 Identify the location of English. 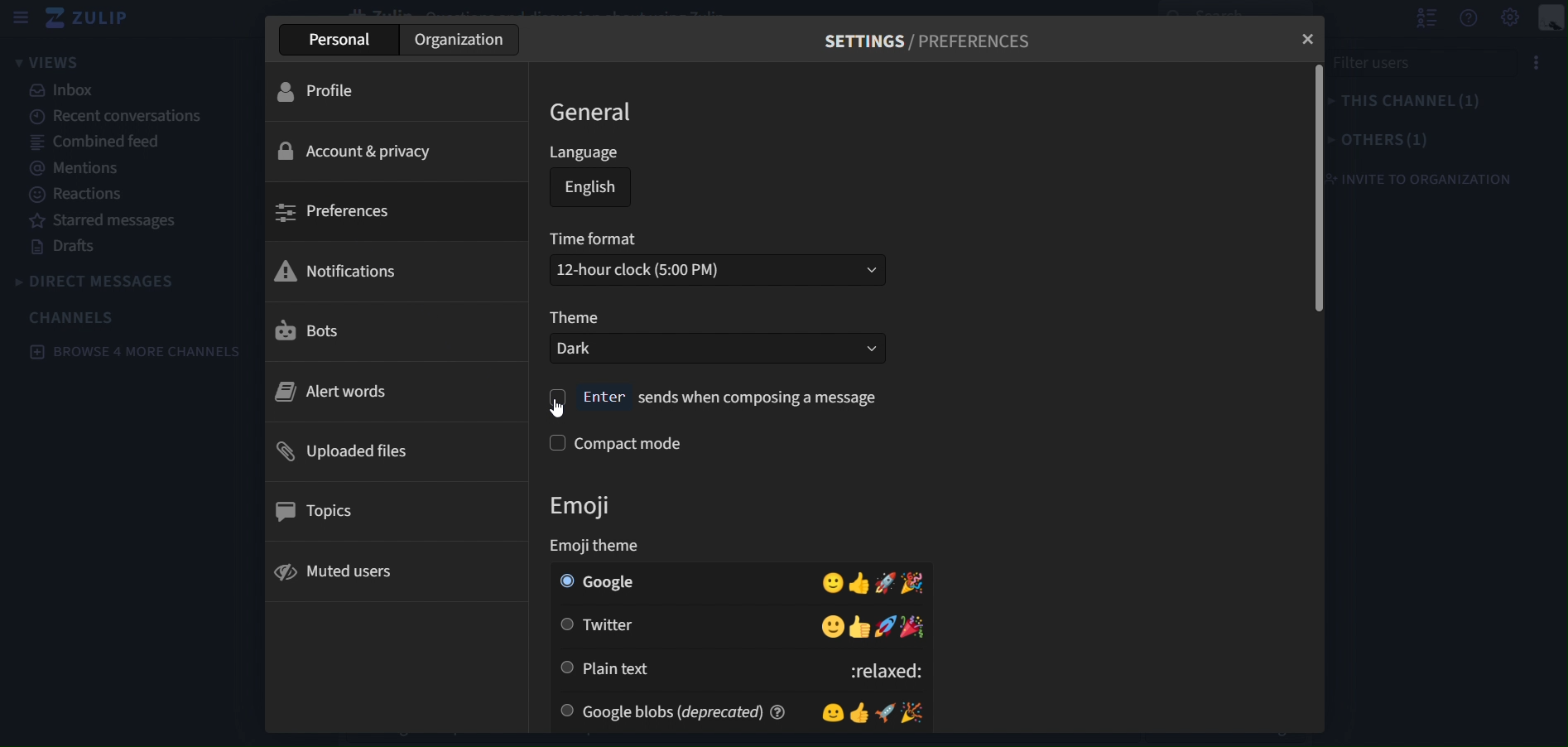
(591, 187).